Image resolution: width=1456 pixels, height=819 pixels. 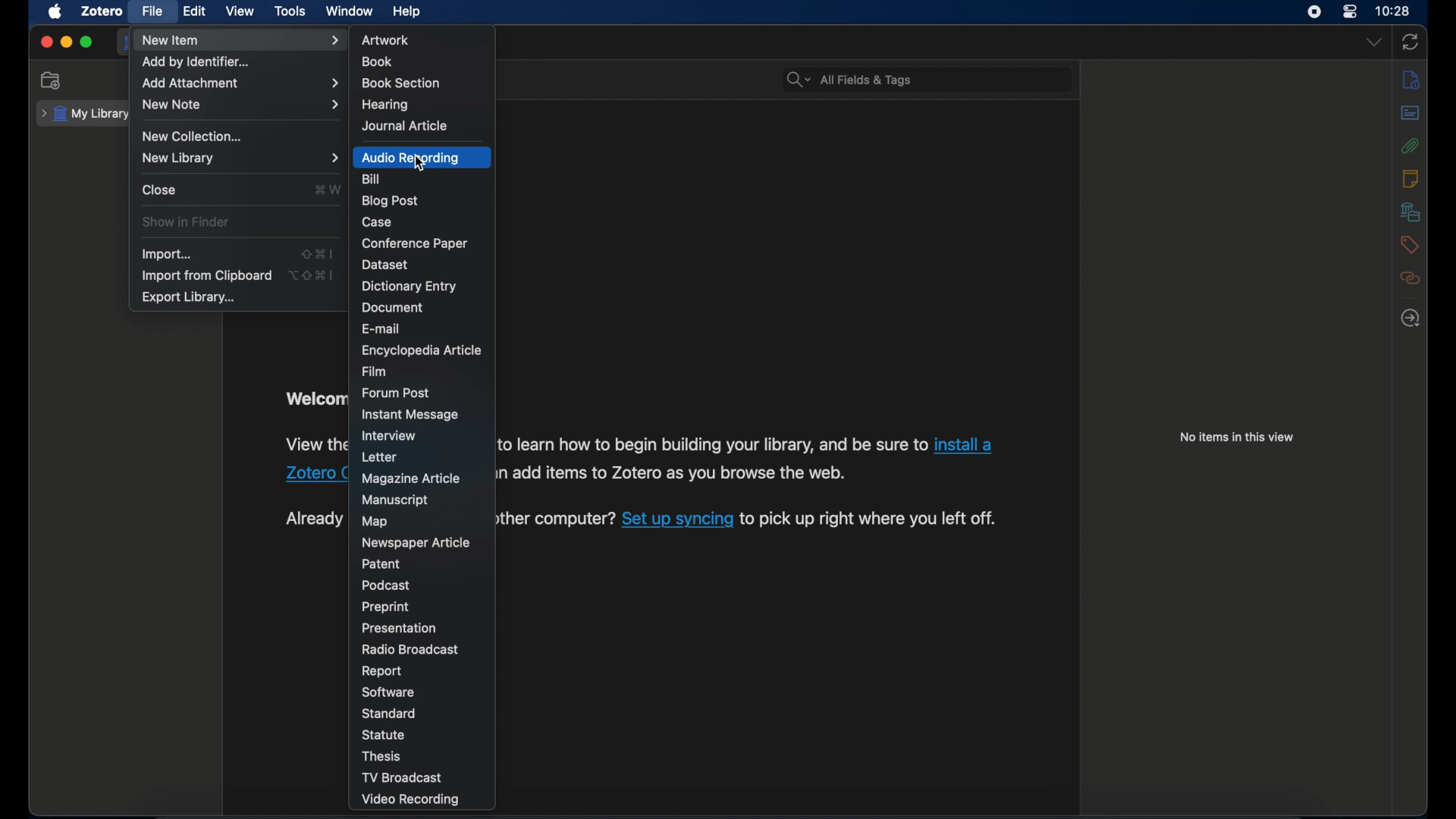 What do you see at coordinates (1237, 437) in the screenshot?
I see `no items in this view` at bounding box center [1237, 437].